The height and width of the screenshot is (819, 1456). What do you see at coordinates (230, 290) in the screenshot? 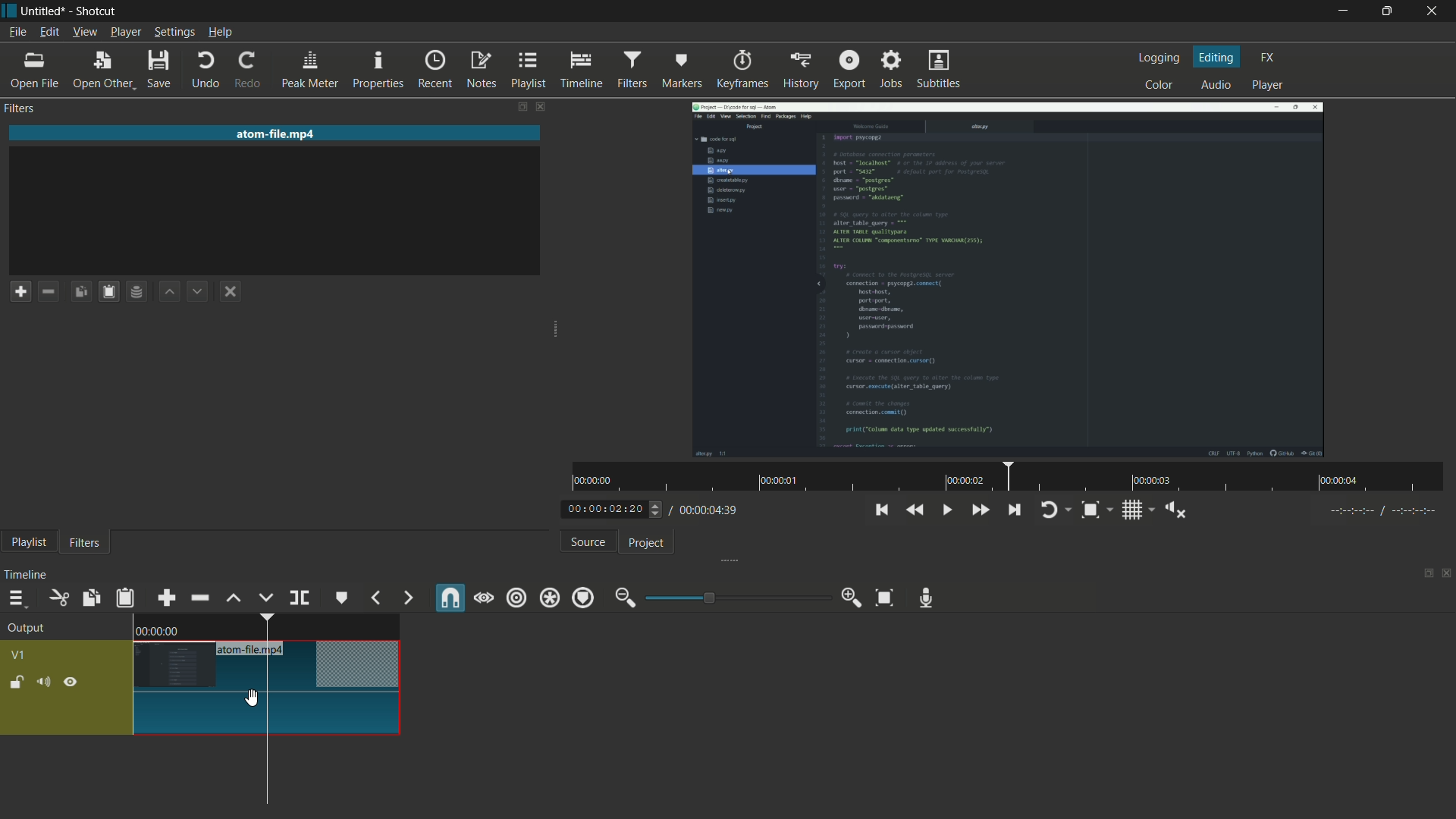
I see `deselect the filter` at bounding box center [230, 290].